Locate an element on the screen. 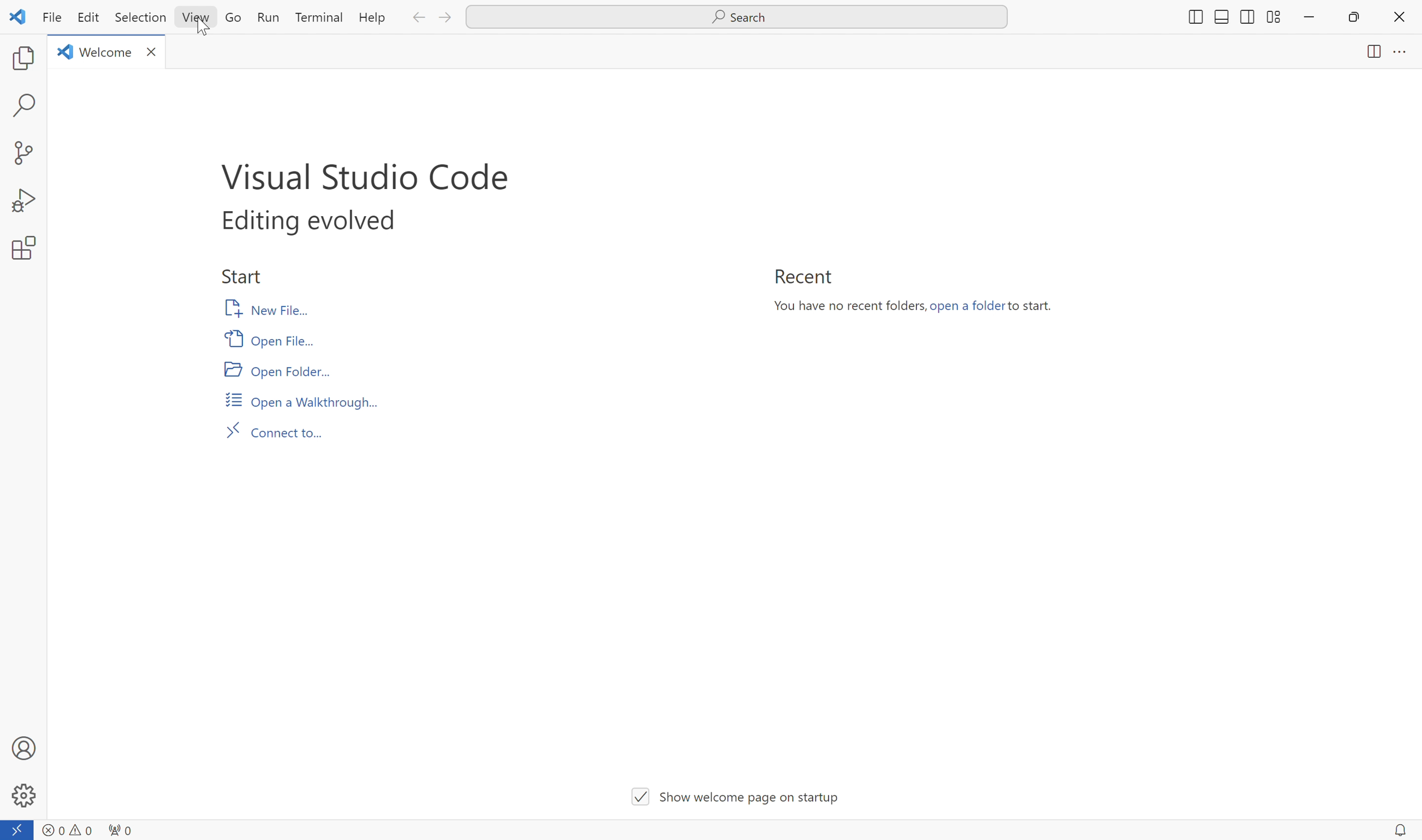 Image resolution: width=1422 pixels, height=840 pixels. change position is located at coordinates (1225, 20).